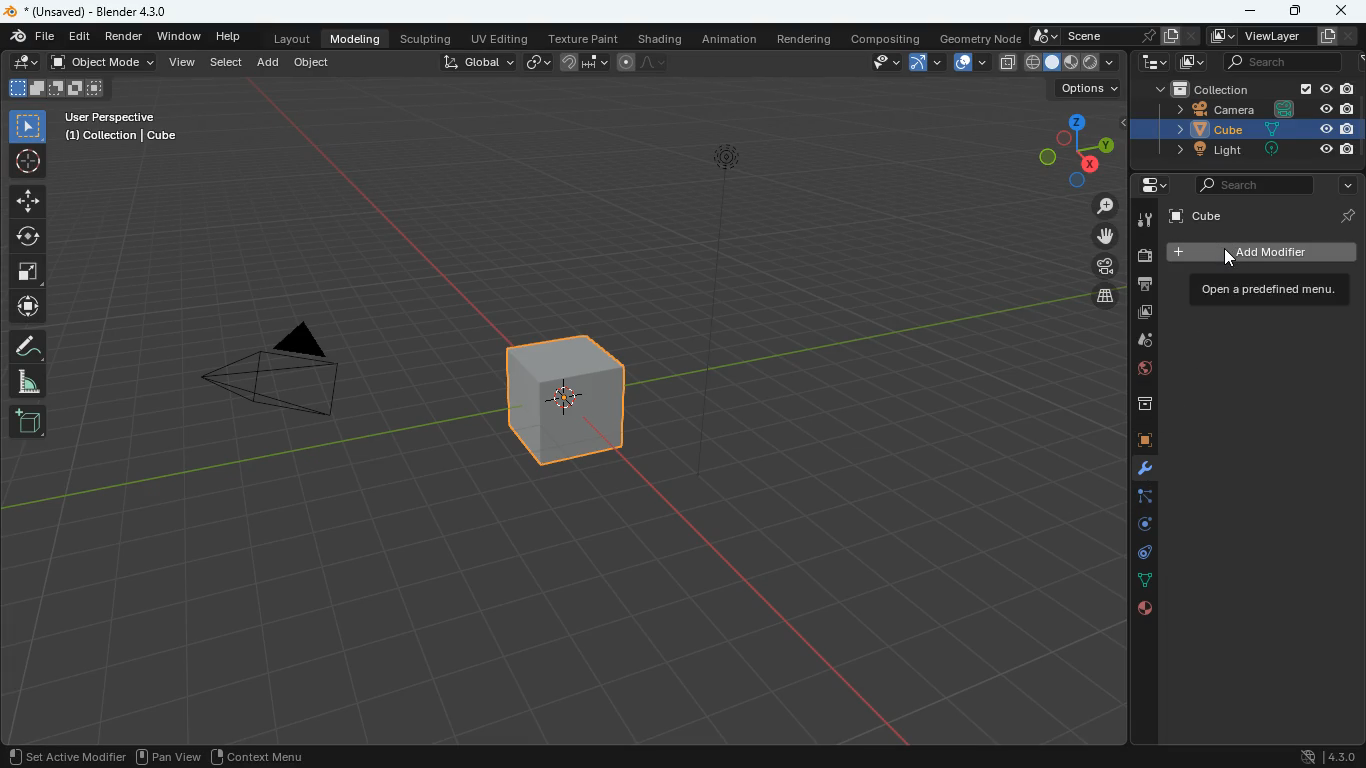 The width and height of the screenshot is (1366, 768). Describe the element at coordinates (26, 307) in the screenshot. I see `move` at that location.